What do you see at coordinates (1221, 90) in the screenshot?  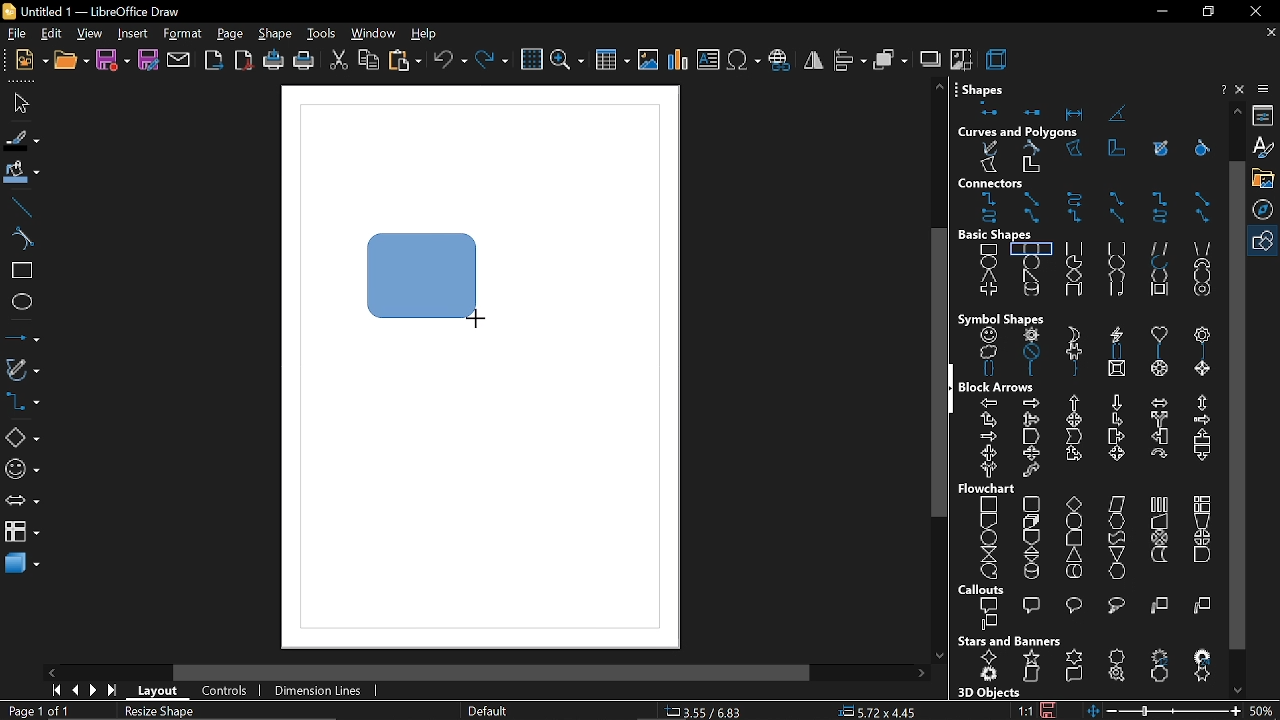 I see `help` at bounding box center [1221, 90].